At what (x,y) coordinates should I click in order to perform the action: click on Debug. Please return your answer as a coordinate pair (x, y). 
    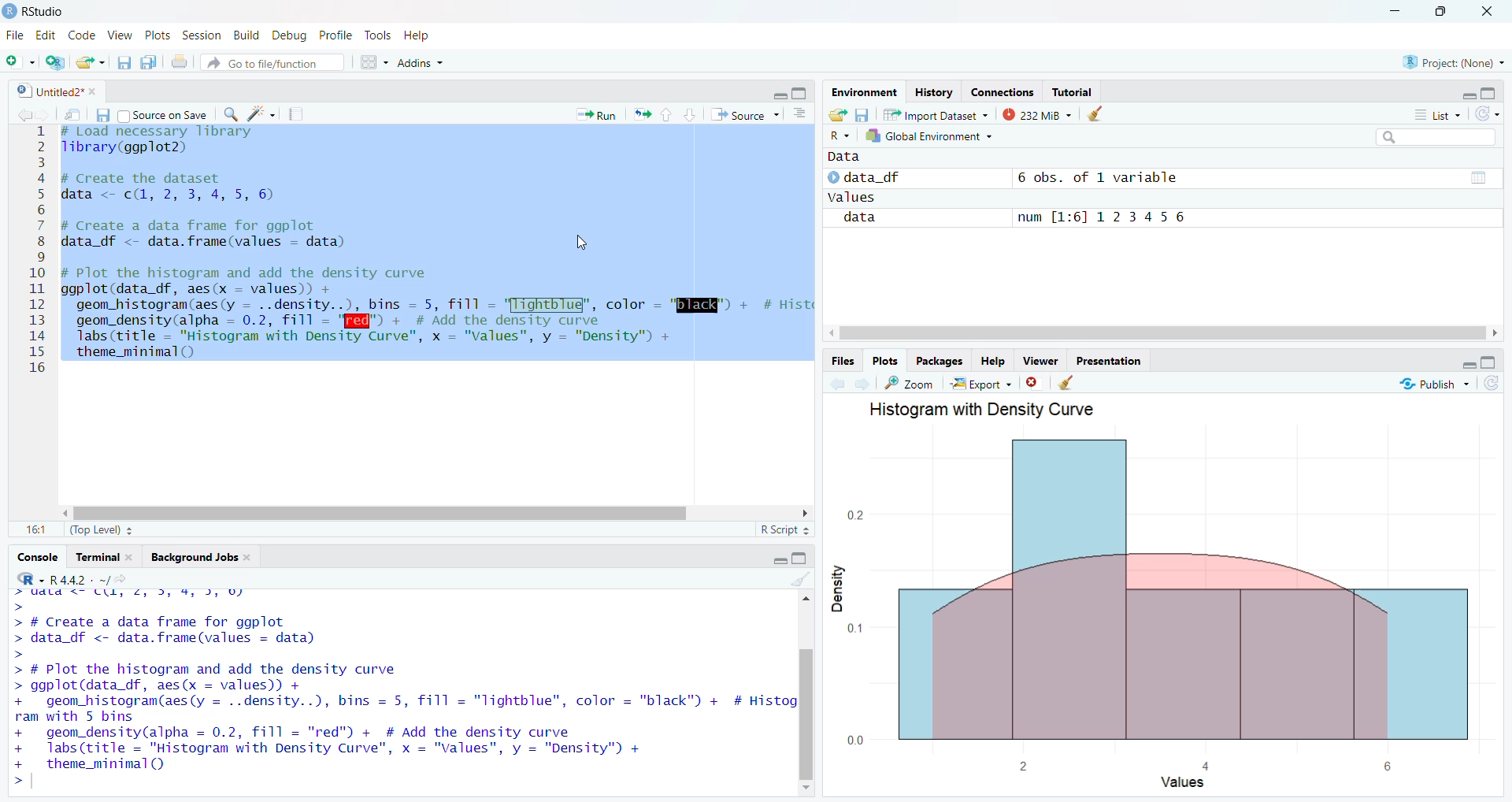
    Looking at the image, I should click on (288, 35).